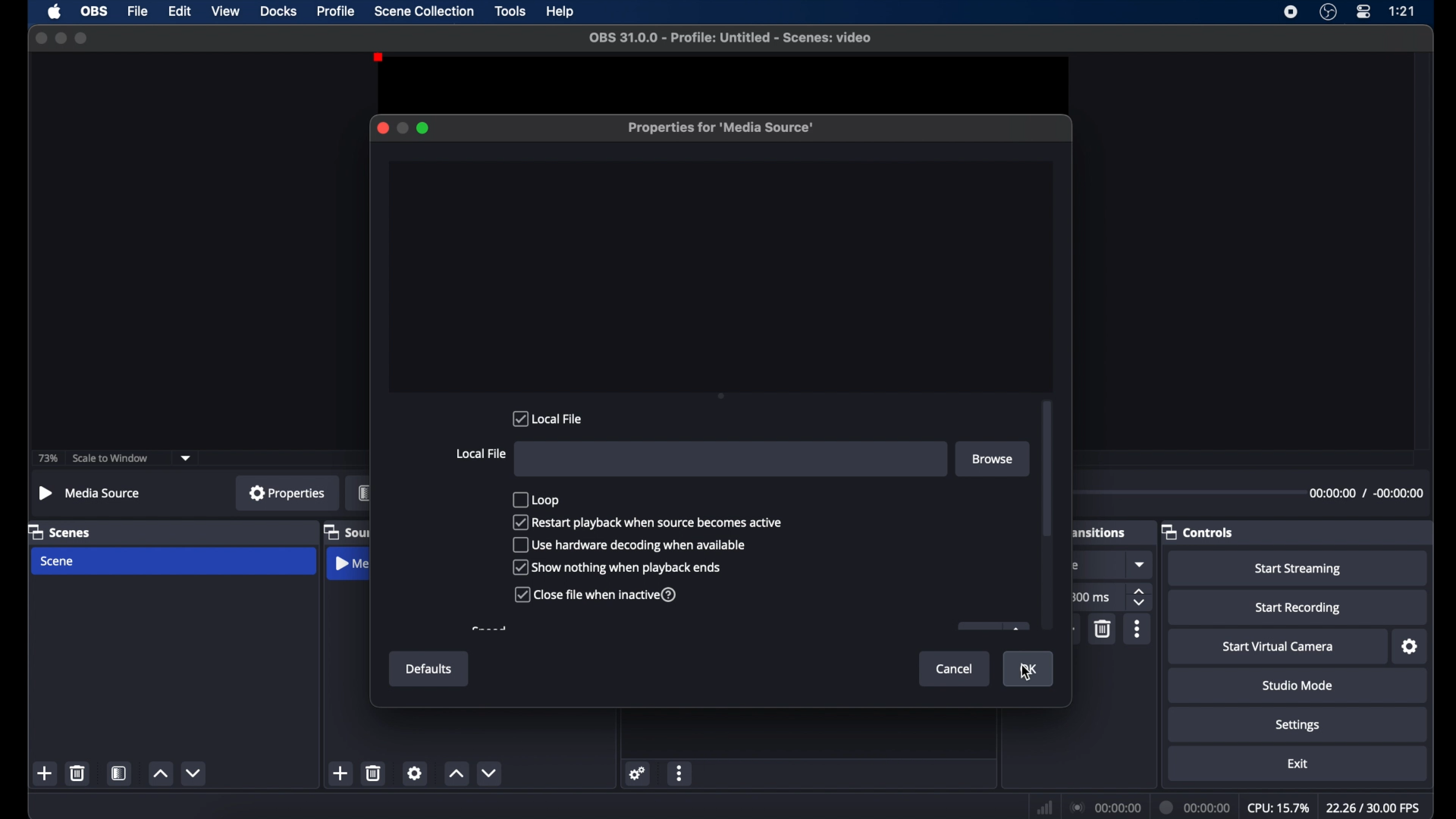 The width and height of the screenshot is (1456, 819). I want to click on add, so click(340, 773).